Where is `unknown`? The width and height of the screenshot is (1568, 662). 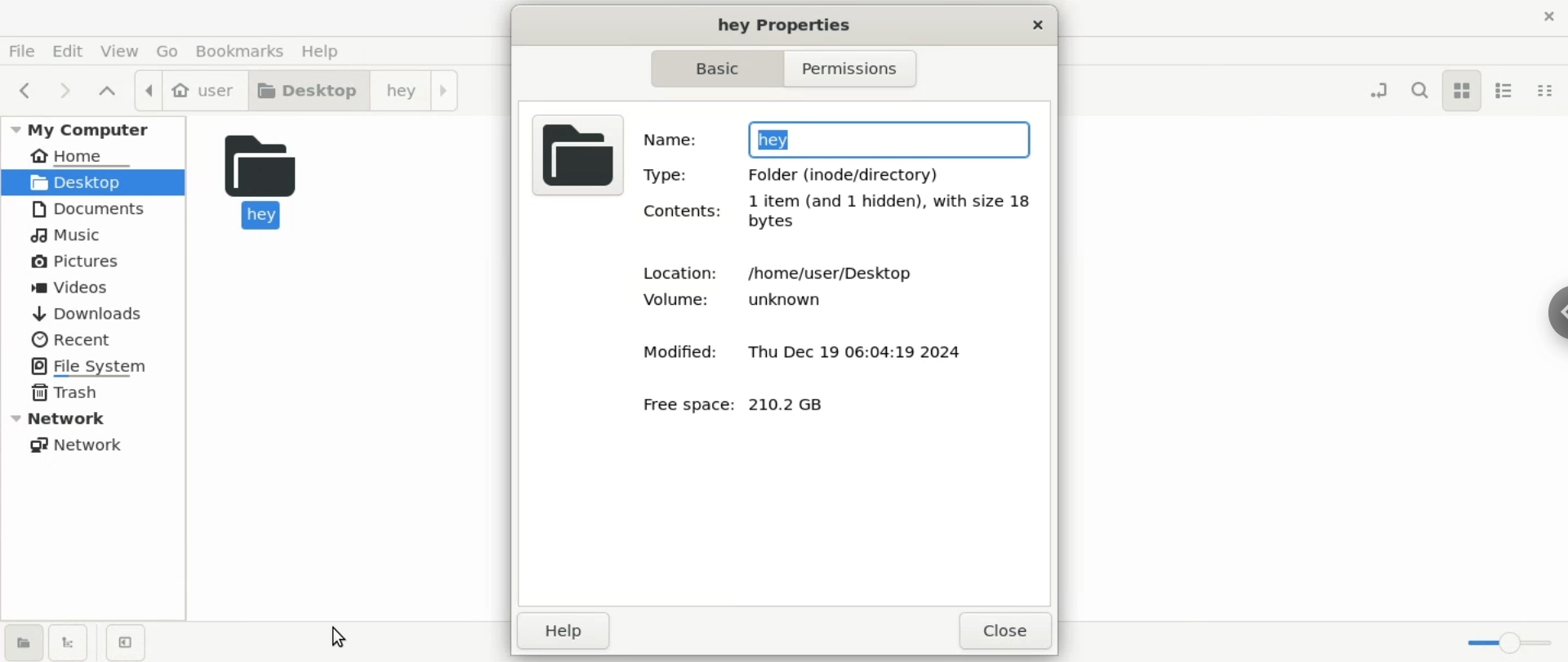
unknown is located at coordinates (798, 300).